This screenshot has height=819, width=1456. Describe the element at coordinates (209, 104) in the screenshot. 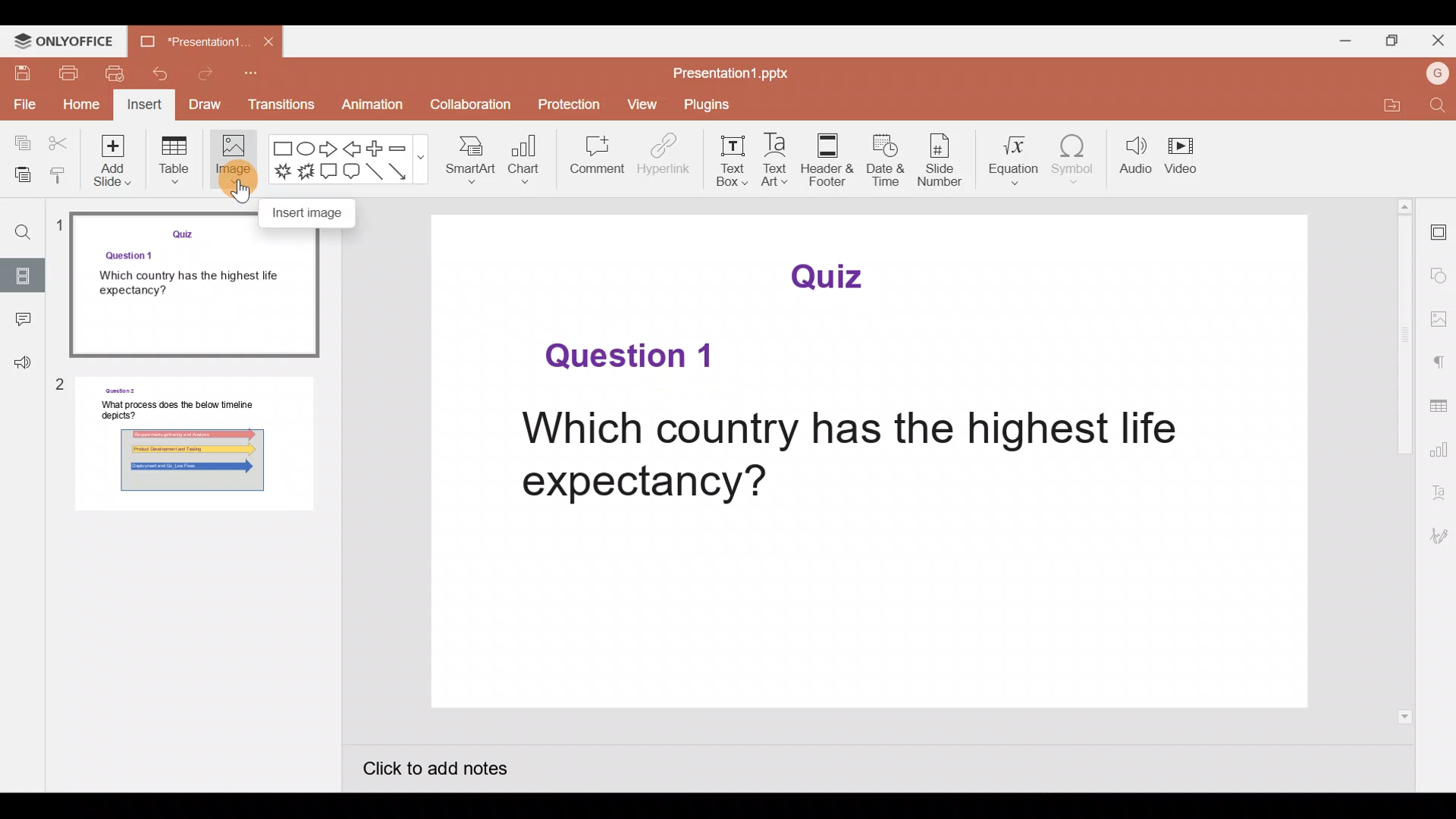

I see `Draw` at that location.